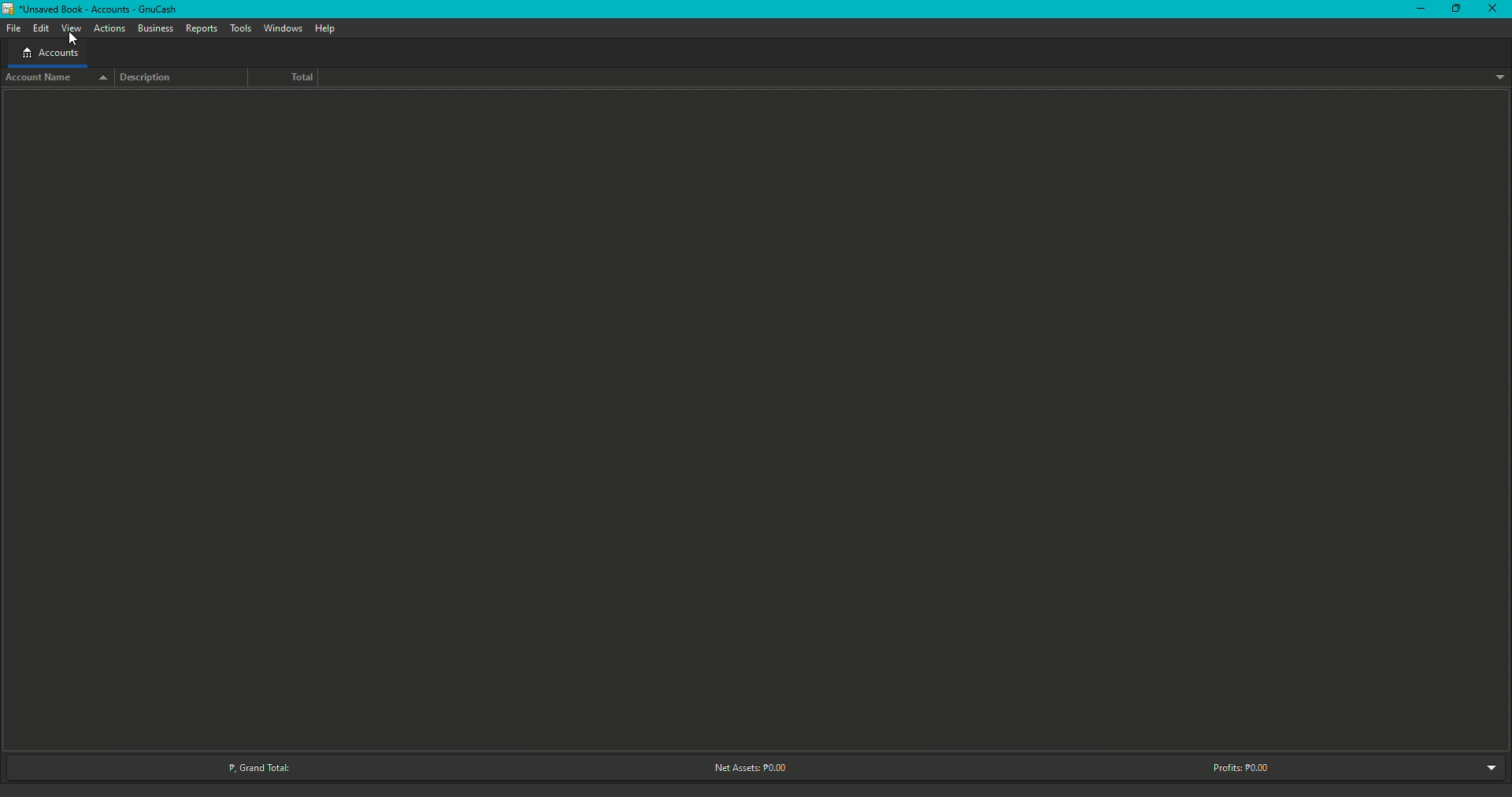 The height and width of the screenshot is (797, 1512). I want to click on Net Assets, so click(749, 766).